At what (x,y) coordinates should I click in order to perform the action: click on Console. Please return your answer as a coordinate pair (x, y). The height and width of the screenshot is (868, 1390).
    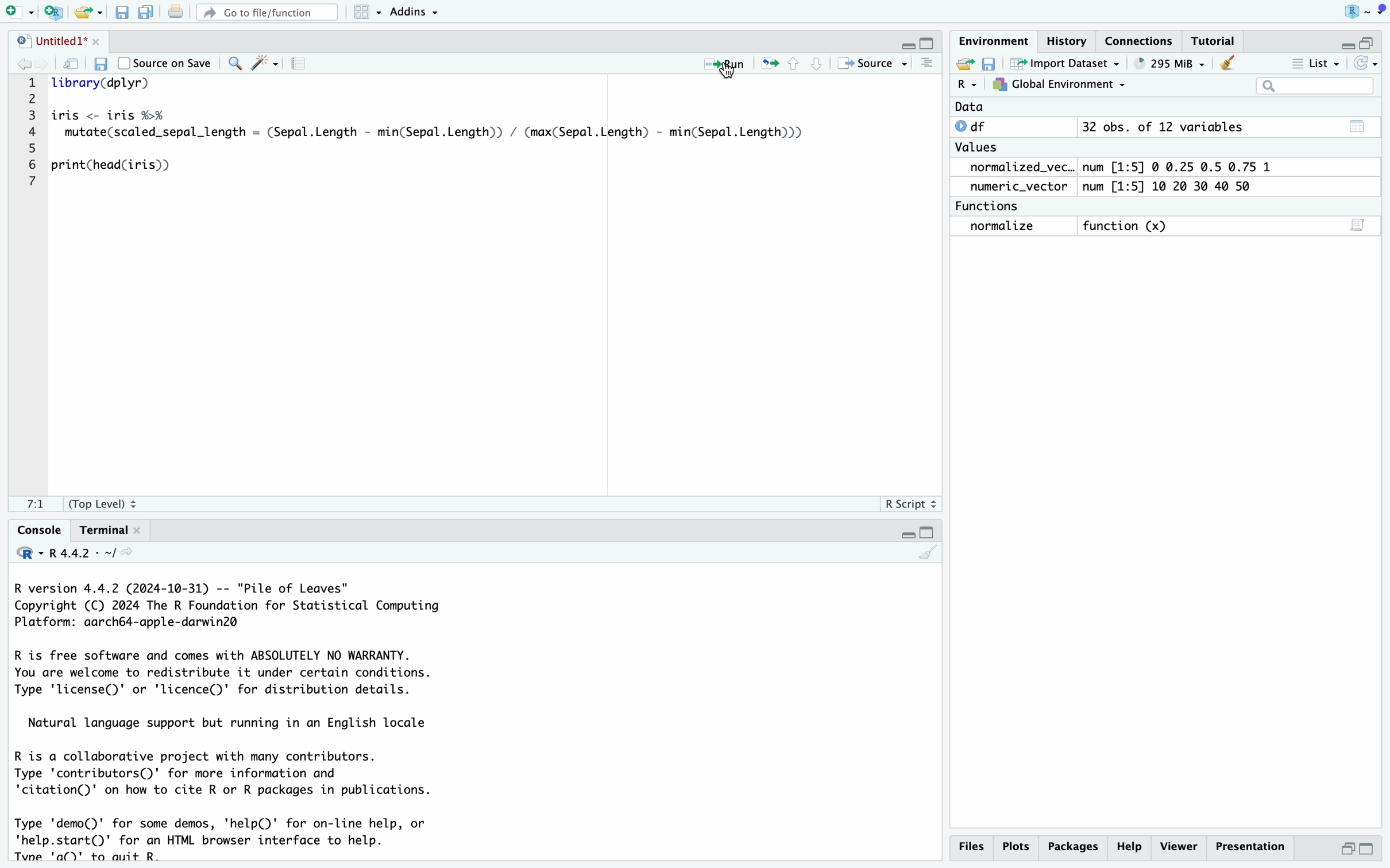
    Looking at the image, I should click on (37, 529).